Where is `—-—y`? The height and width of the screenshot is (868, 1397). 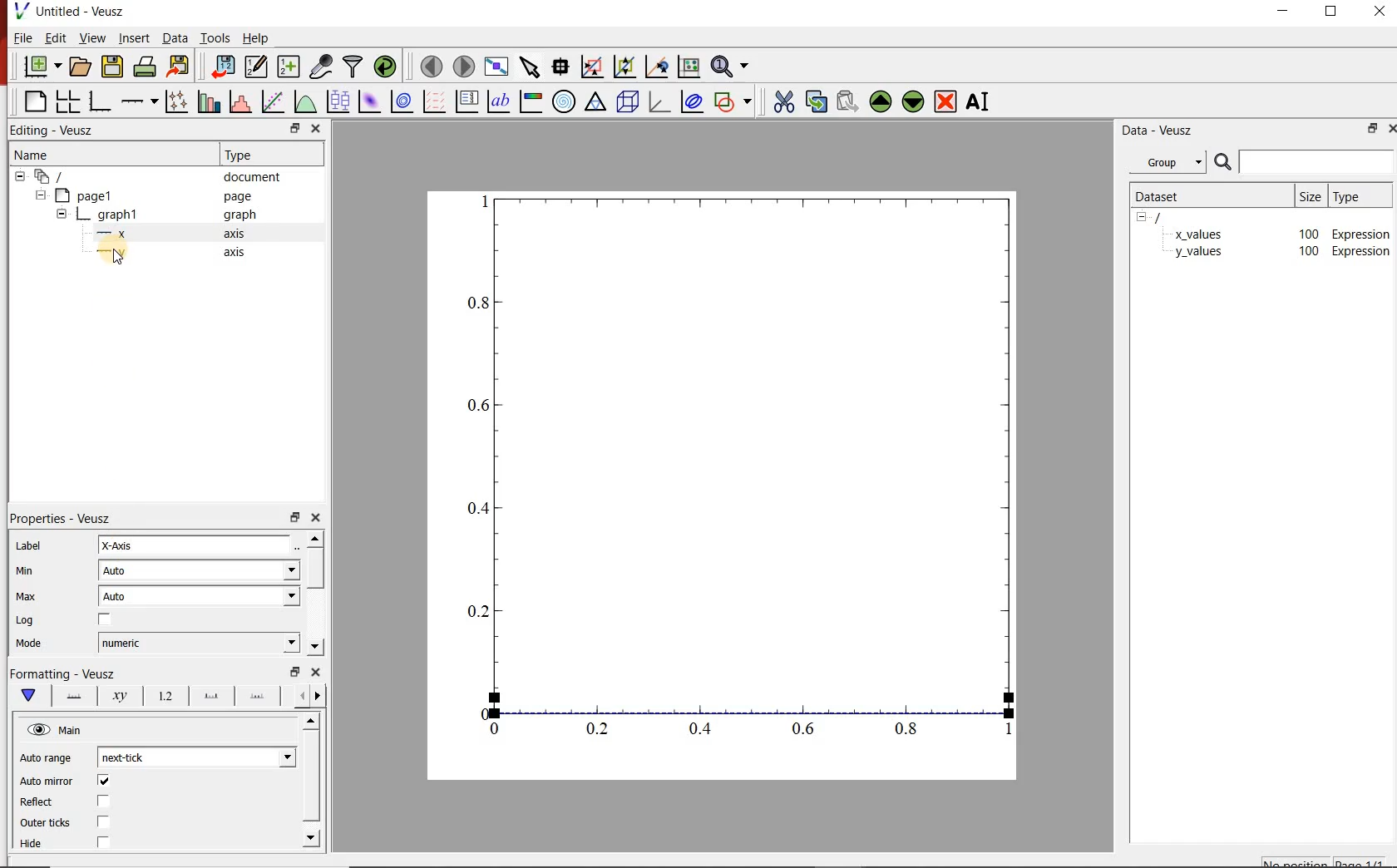 —-—y is located at coordinates (111, 253).